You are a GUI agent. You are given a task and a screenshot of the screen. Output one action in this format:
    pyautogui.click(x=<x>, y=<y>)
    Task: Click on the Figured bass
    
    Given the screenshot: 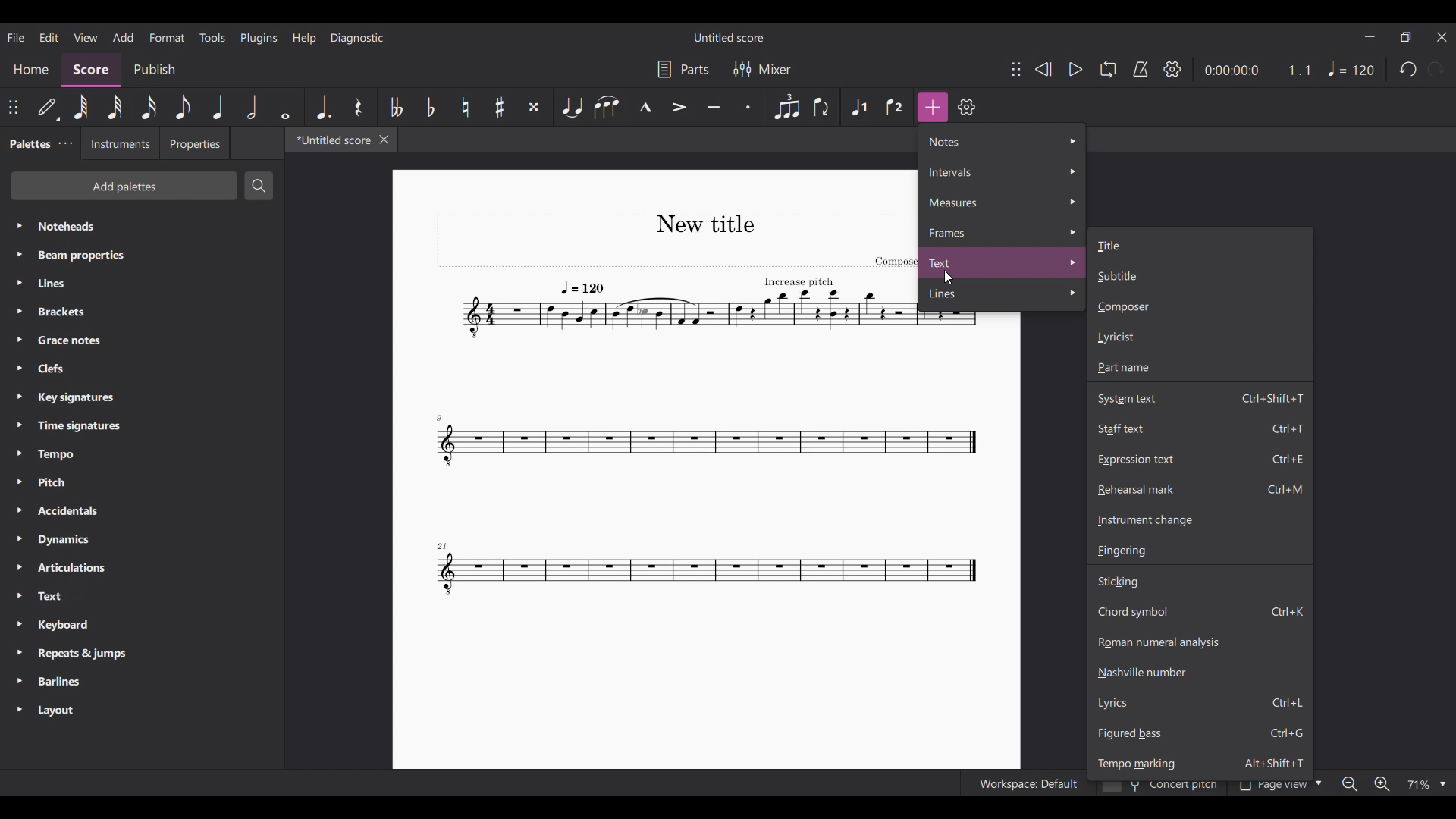 What is the action you would take?
    pyautogui.click(x=1200, y=733)
    